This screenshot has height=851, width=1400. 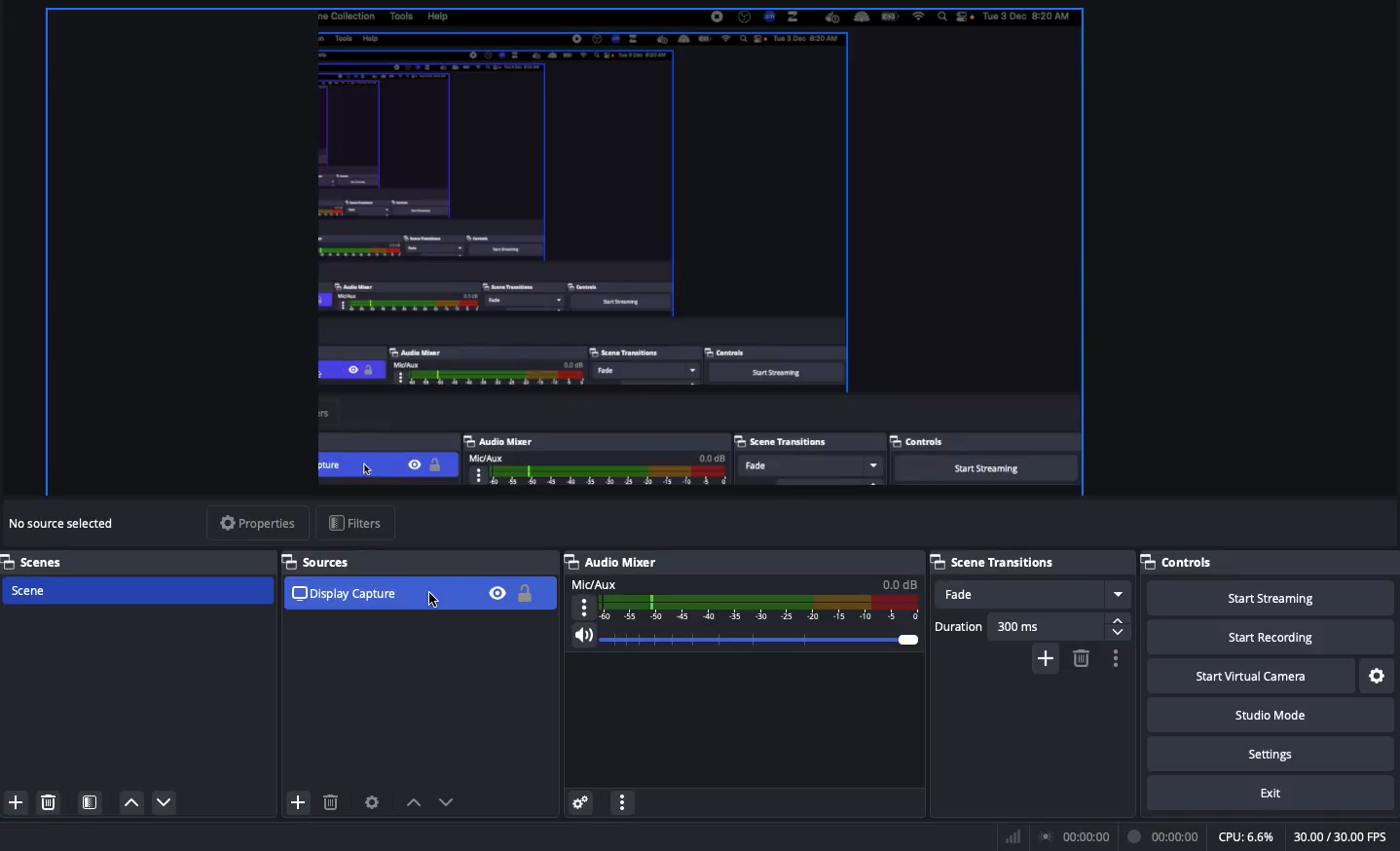 I want to click on Settings, so click(x=1277, y=756).